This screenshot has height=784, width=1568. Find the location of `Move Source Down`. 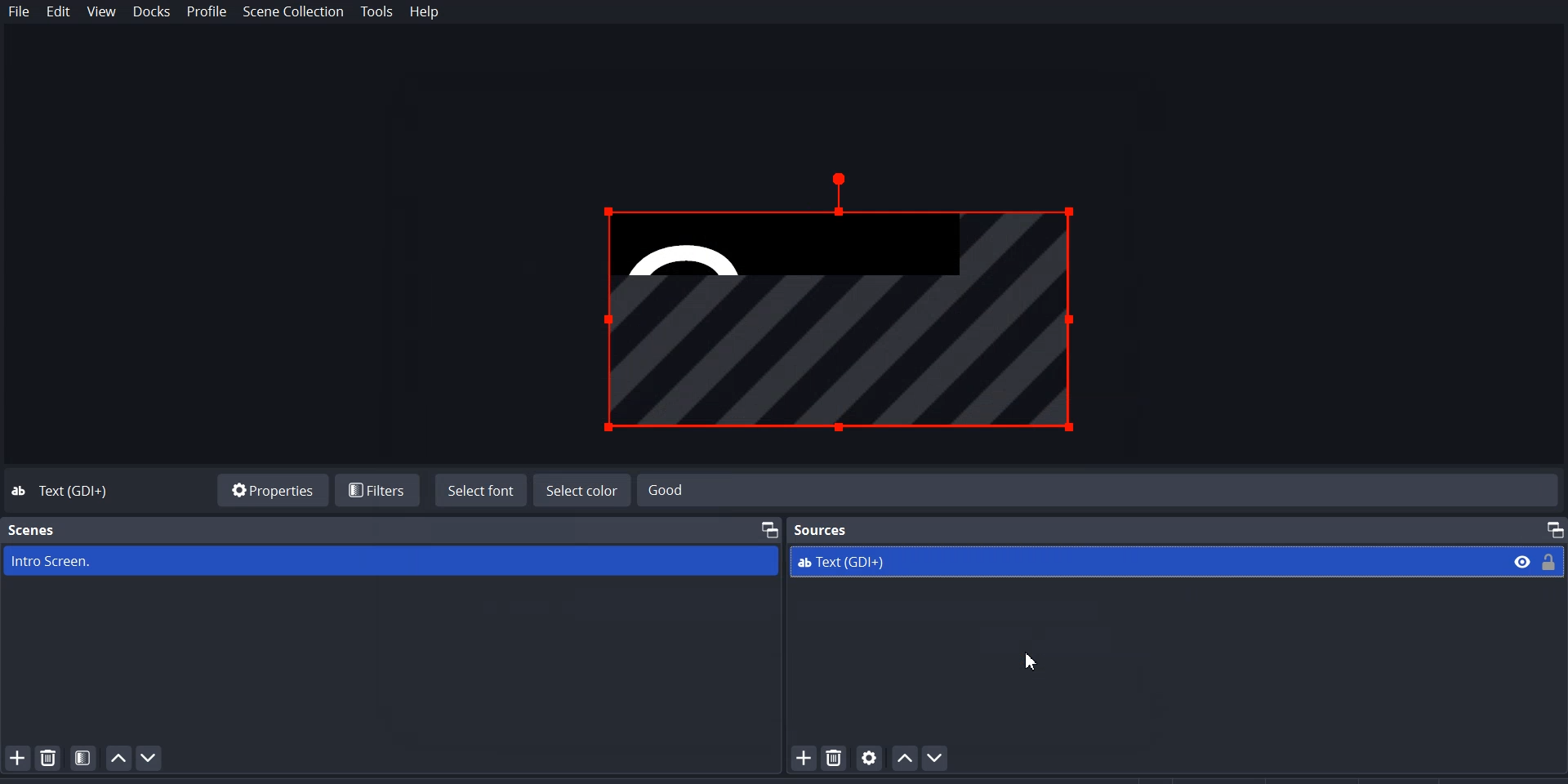

Move Source Down is located at coordinates (938, 757).